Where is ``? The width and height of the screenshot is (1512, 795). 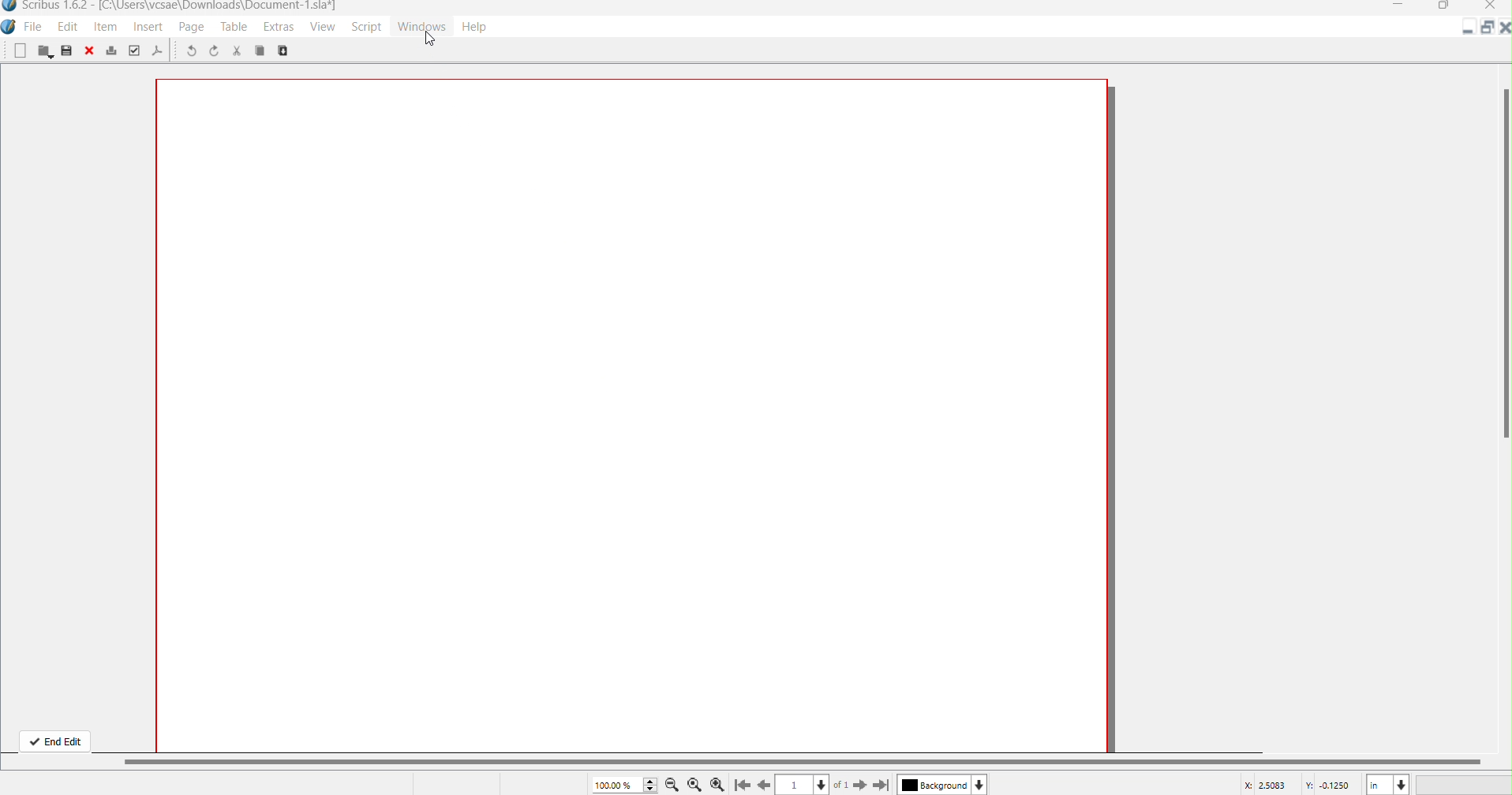
 is located at coordinates (240, 50).